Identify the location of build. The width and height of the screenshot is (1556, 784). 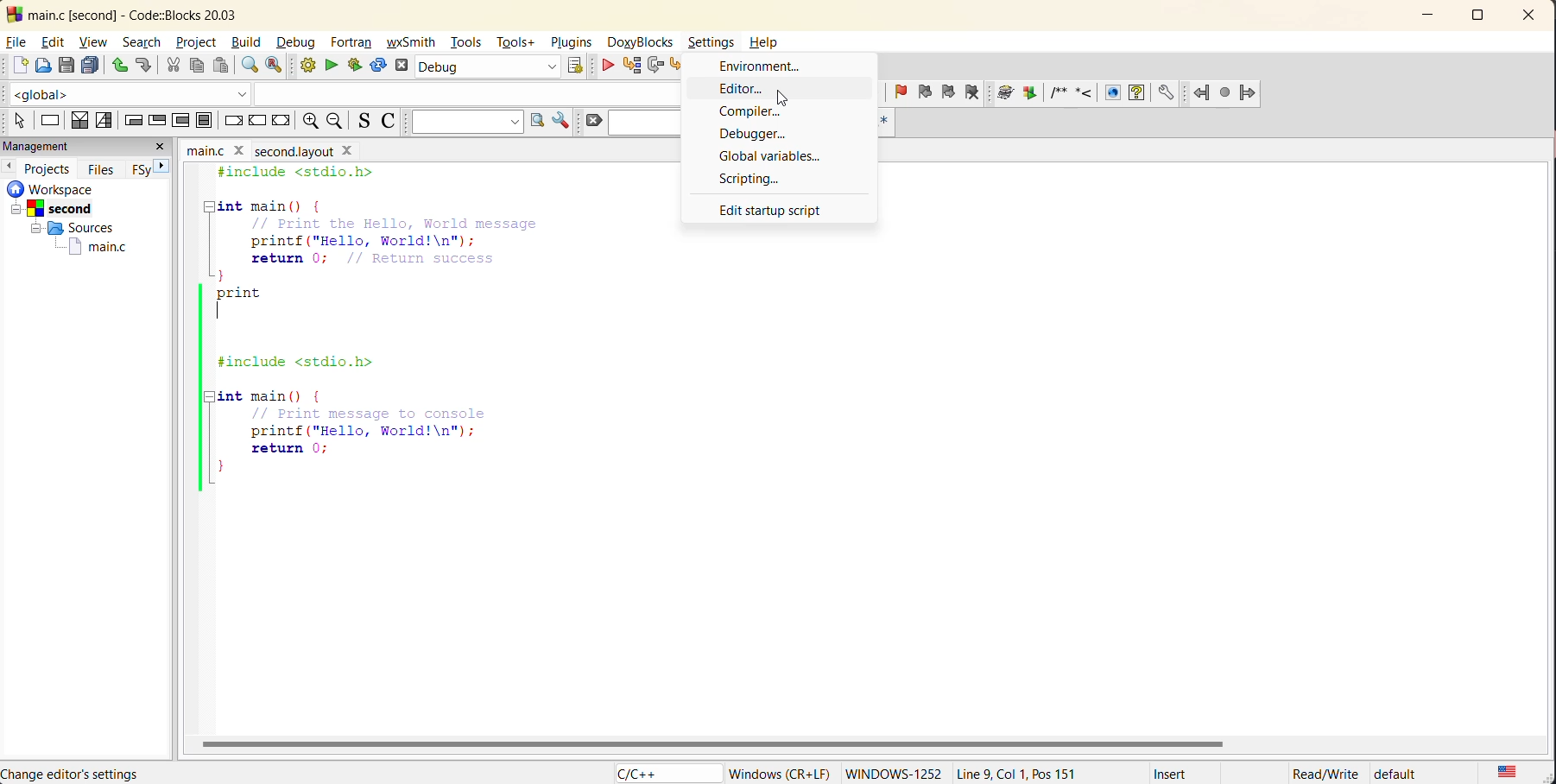
(312, 68).